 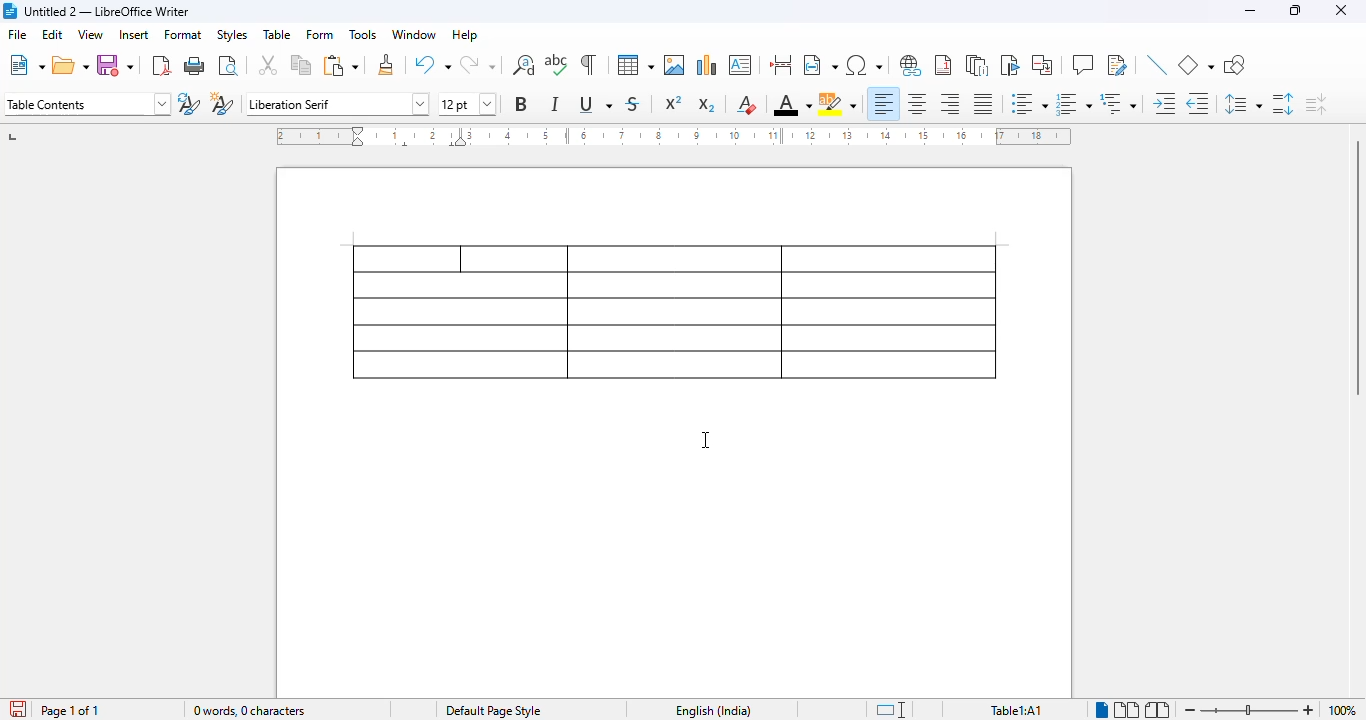 I want to click on insert bookmark, so click(x=1011, y=65).